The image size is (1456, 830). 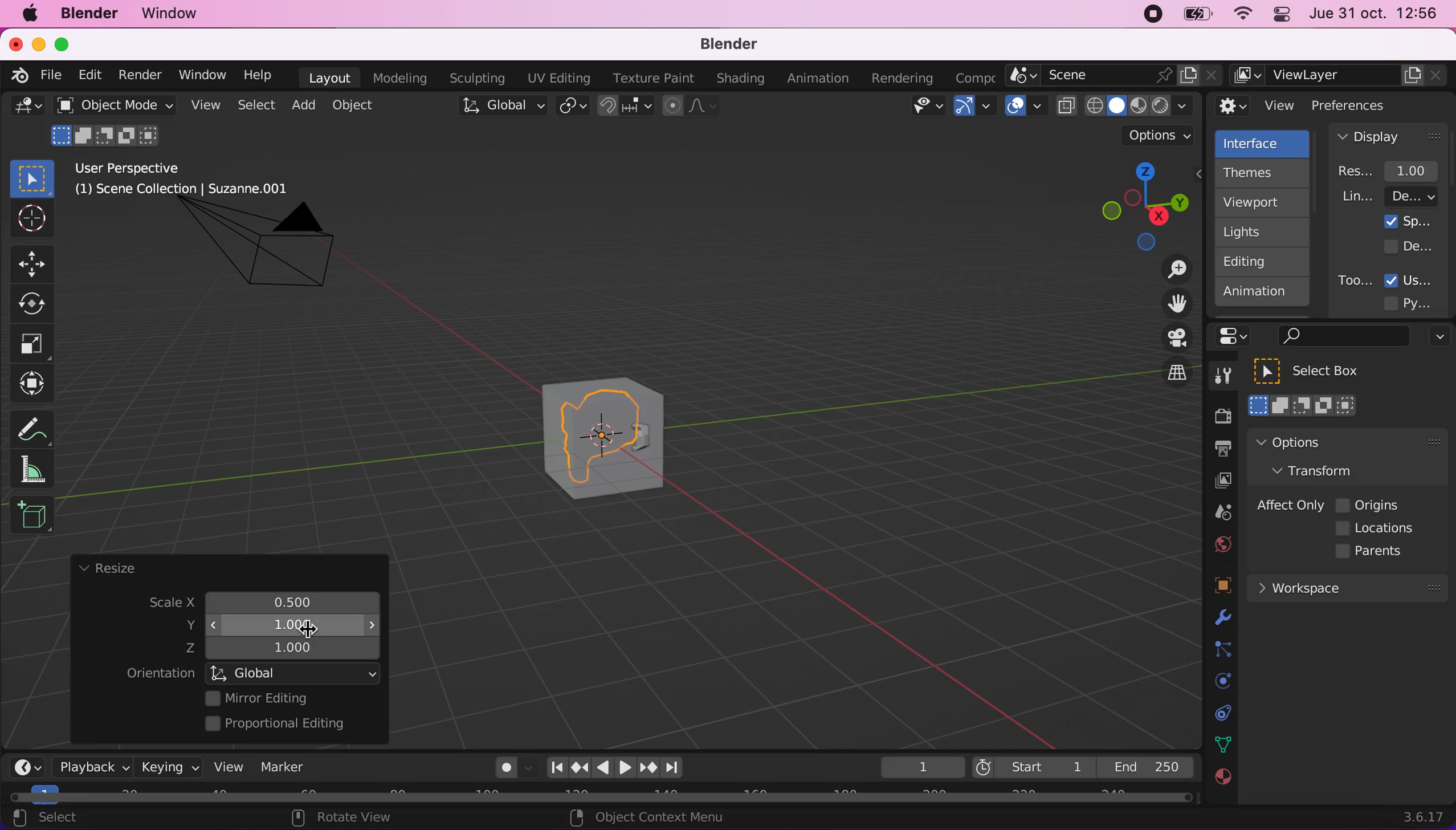 I want to click on object mode, so click(x=111, y=105).